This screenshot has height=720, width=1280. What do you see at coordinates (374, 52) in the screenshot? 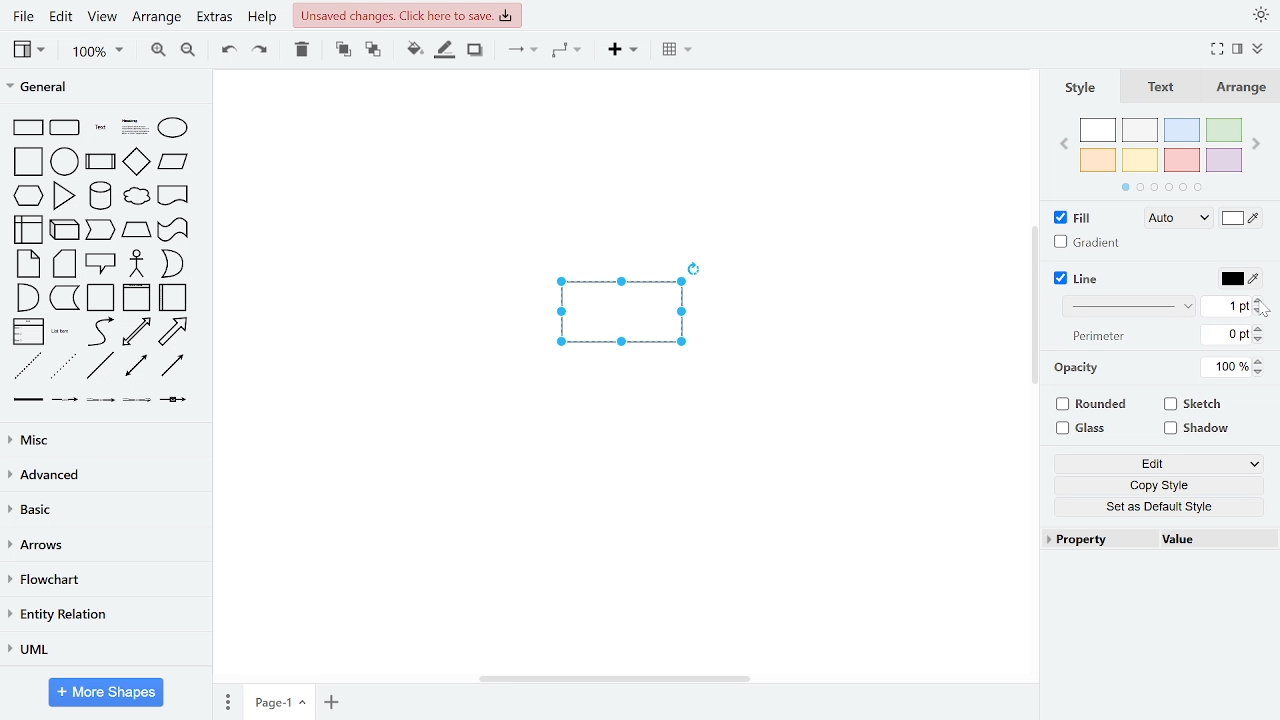
I see `to back` at bounding box center [374, 52].